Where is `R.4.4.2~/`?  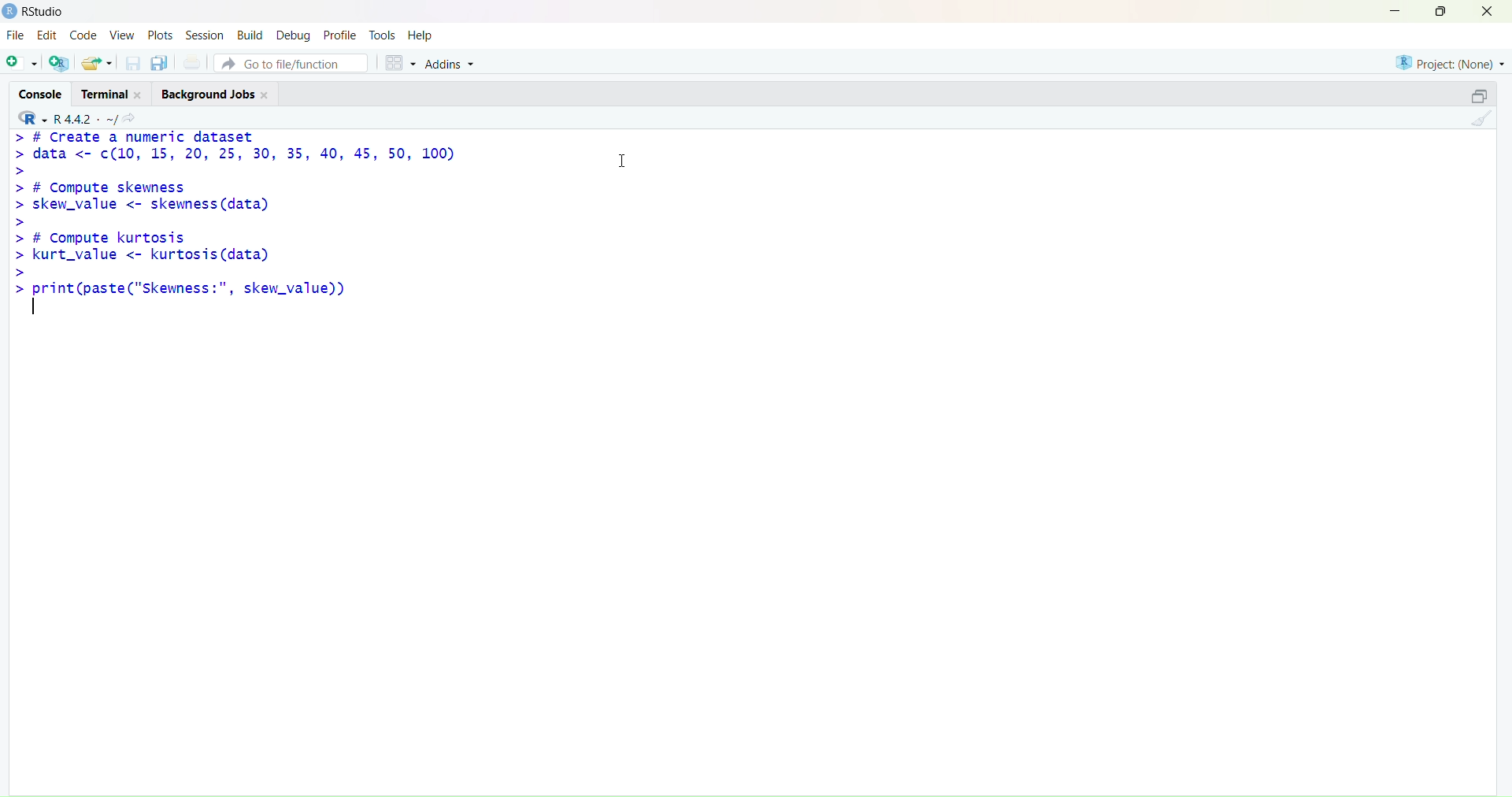
R.4.4.2~/ is located at coordinates (83, 118).